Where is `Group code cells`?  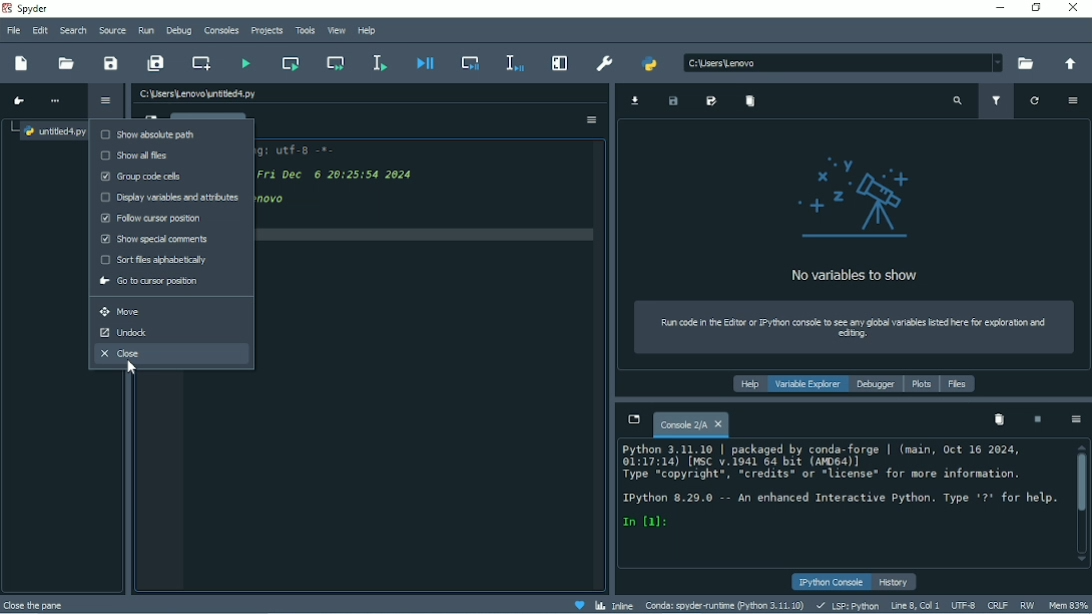 Group code cells is located at coordinates (145, 177).